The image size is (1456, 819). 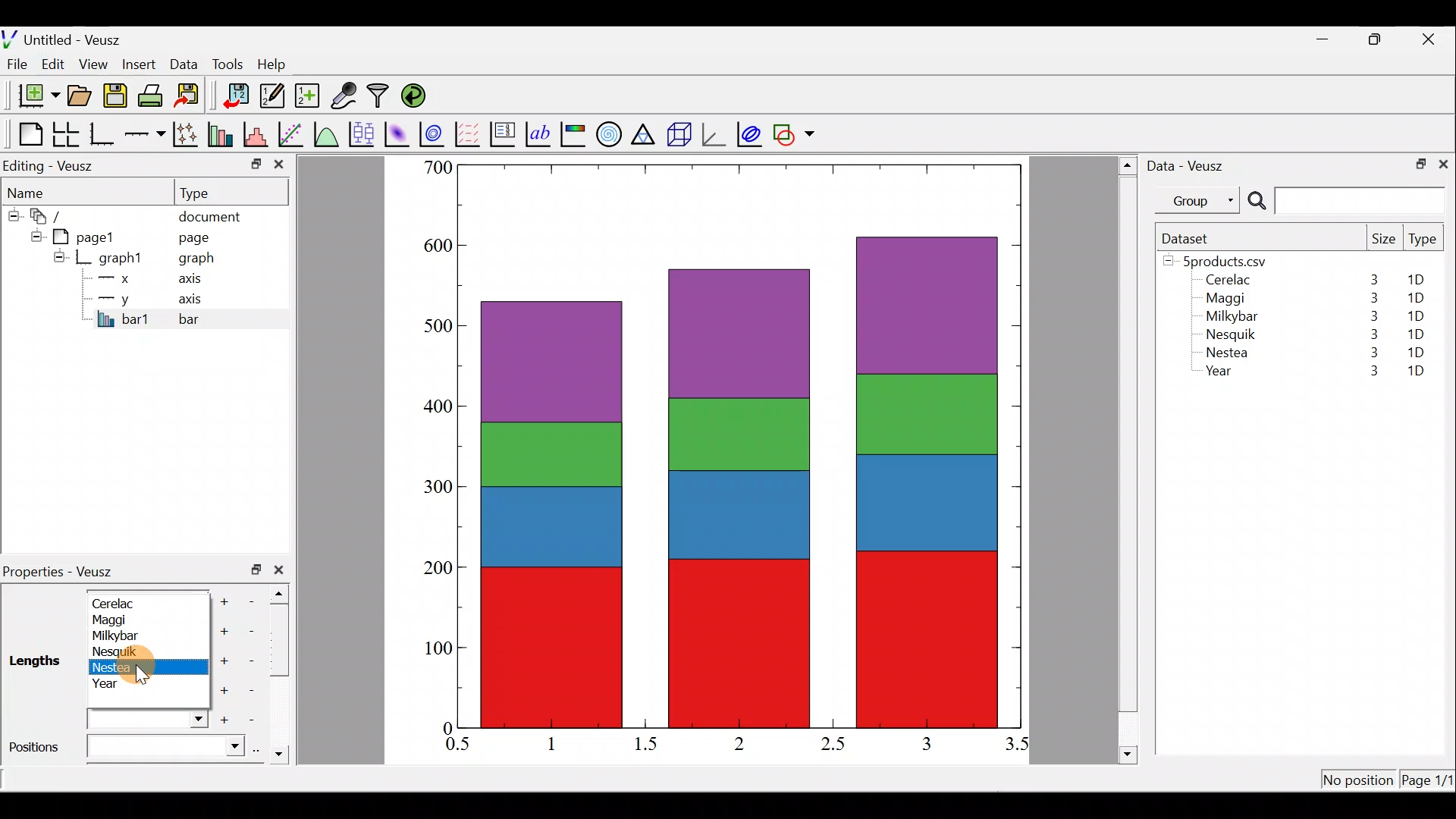 I want to click on Positions, so click(x=124, y=750).